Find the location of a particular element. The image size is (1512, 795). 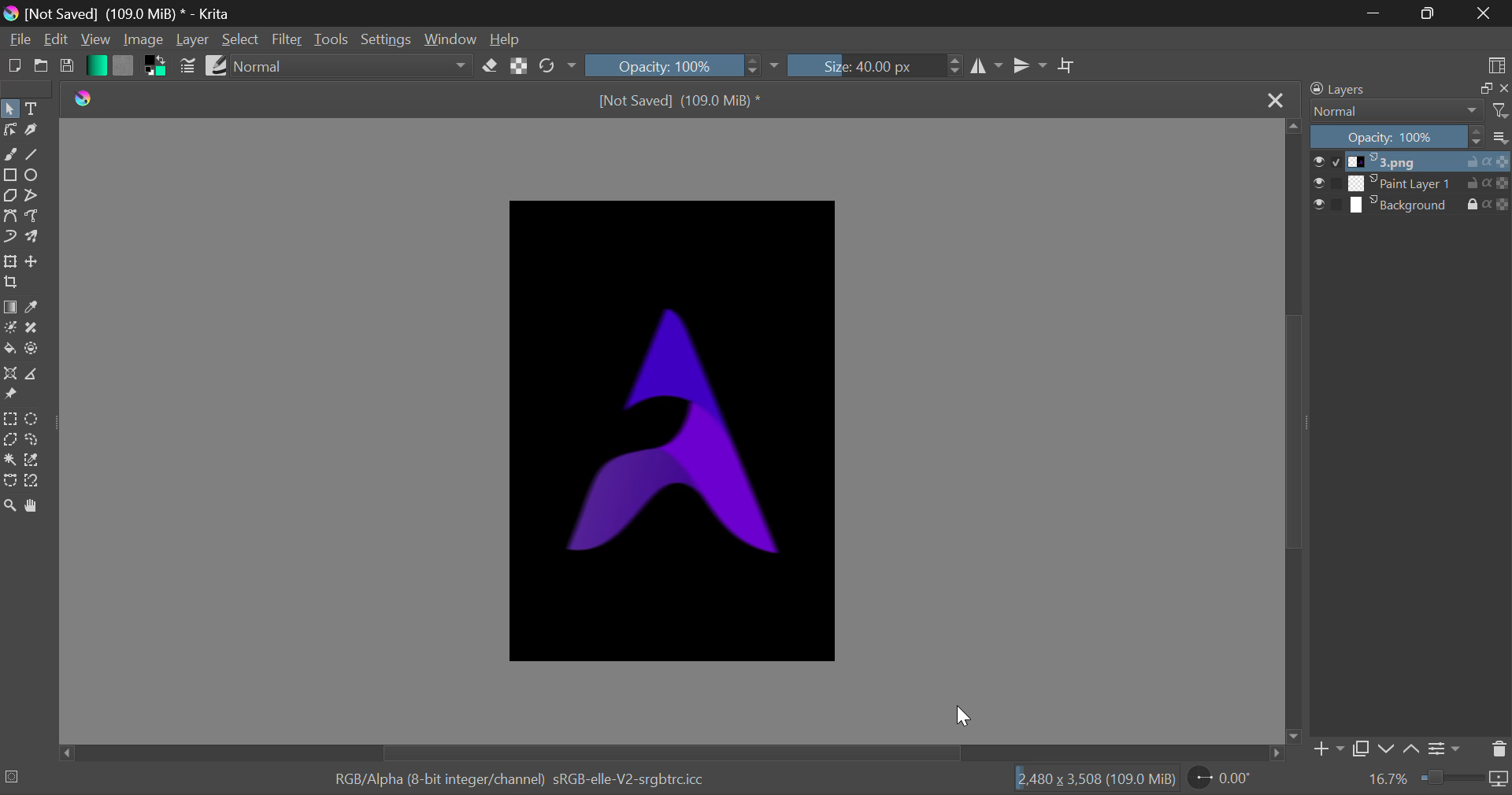

Gradient is located at coordinates (95, 65).